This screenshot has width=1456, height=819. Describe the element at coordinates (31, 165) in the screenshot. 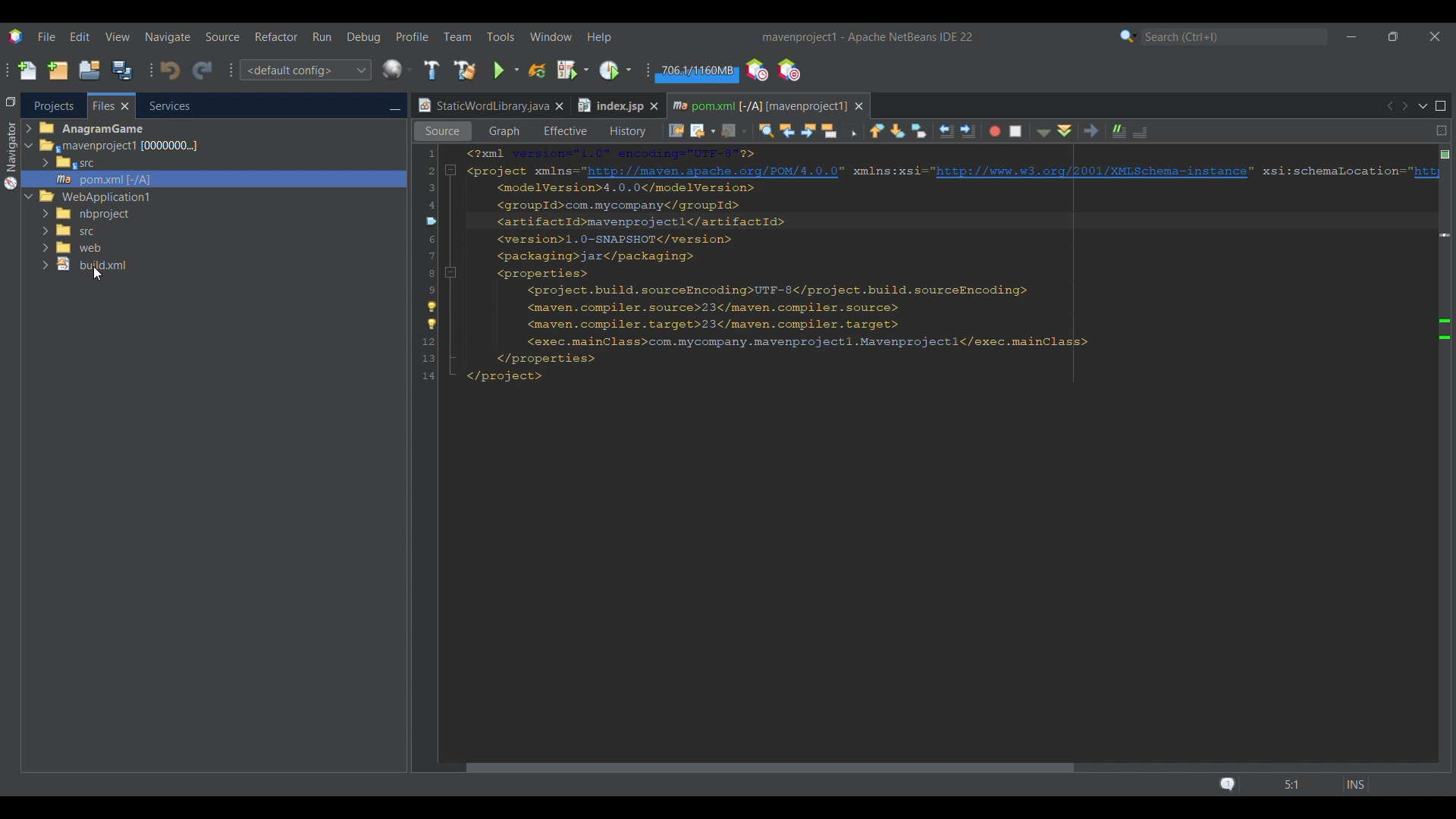

I see `Expand` at that location.